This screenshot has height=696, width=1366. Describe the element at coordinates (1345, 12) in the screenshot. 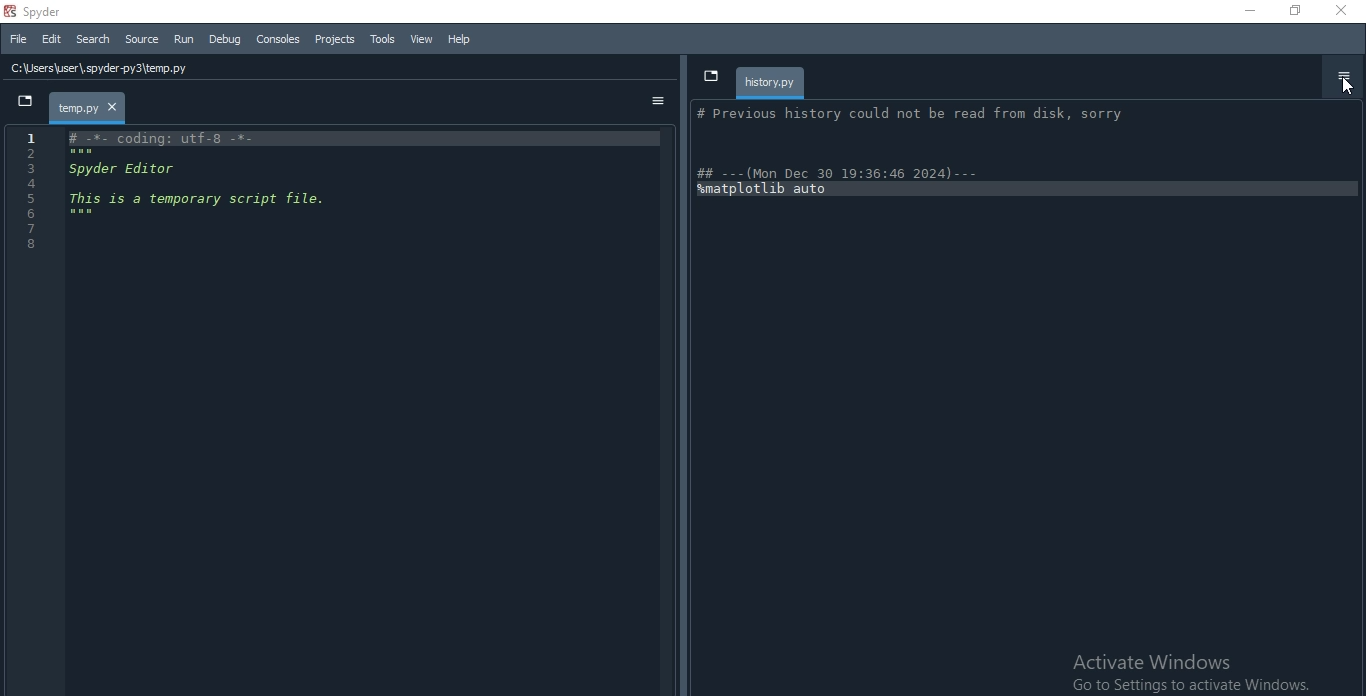

I see `Close` at that location.